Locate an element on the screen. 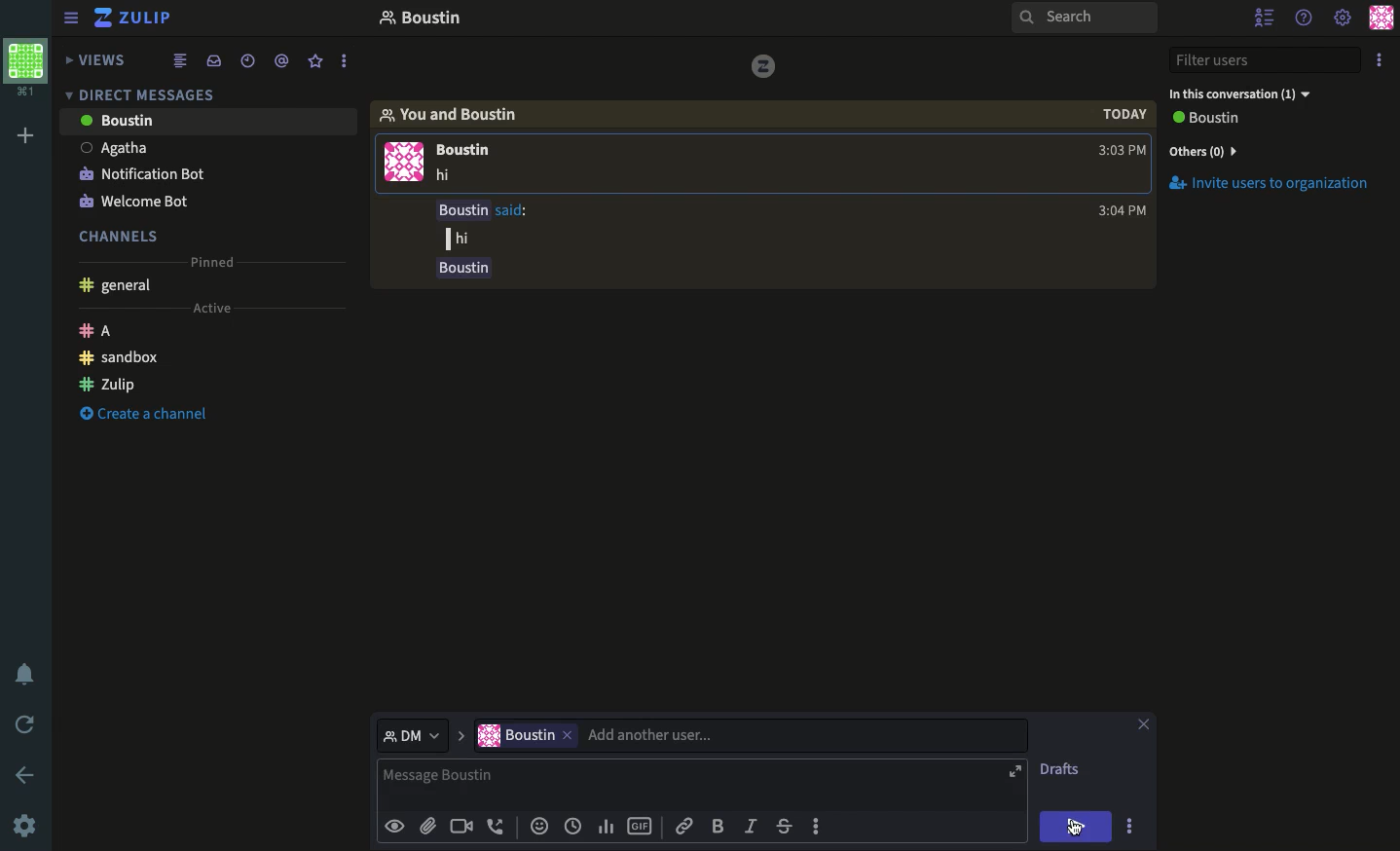 The image size is (1400, 851). Inbox is located at coordinates (217, 62).